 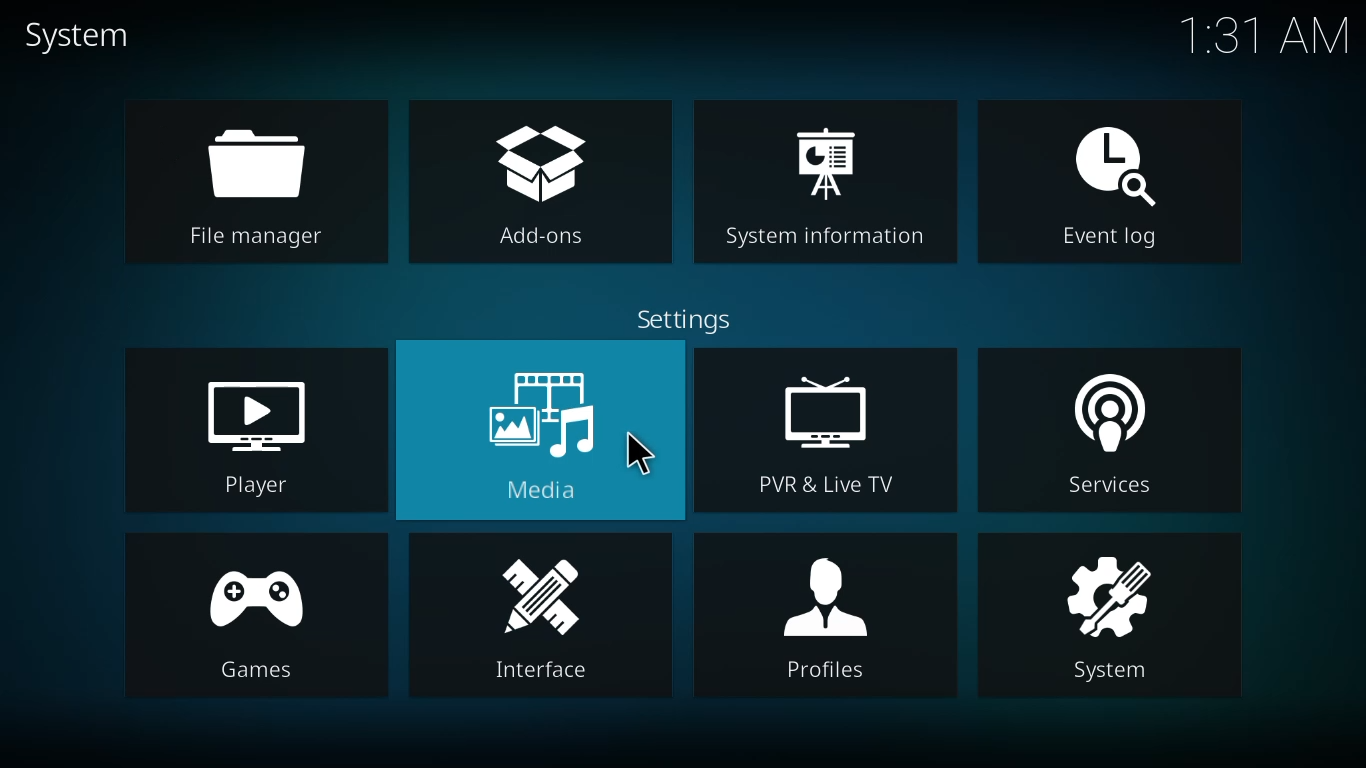 What do you see at coordinates (83, 37) in the screenshot?
I see `system` at bounding box center [83, 37].